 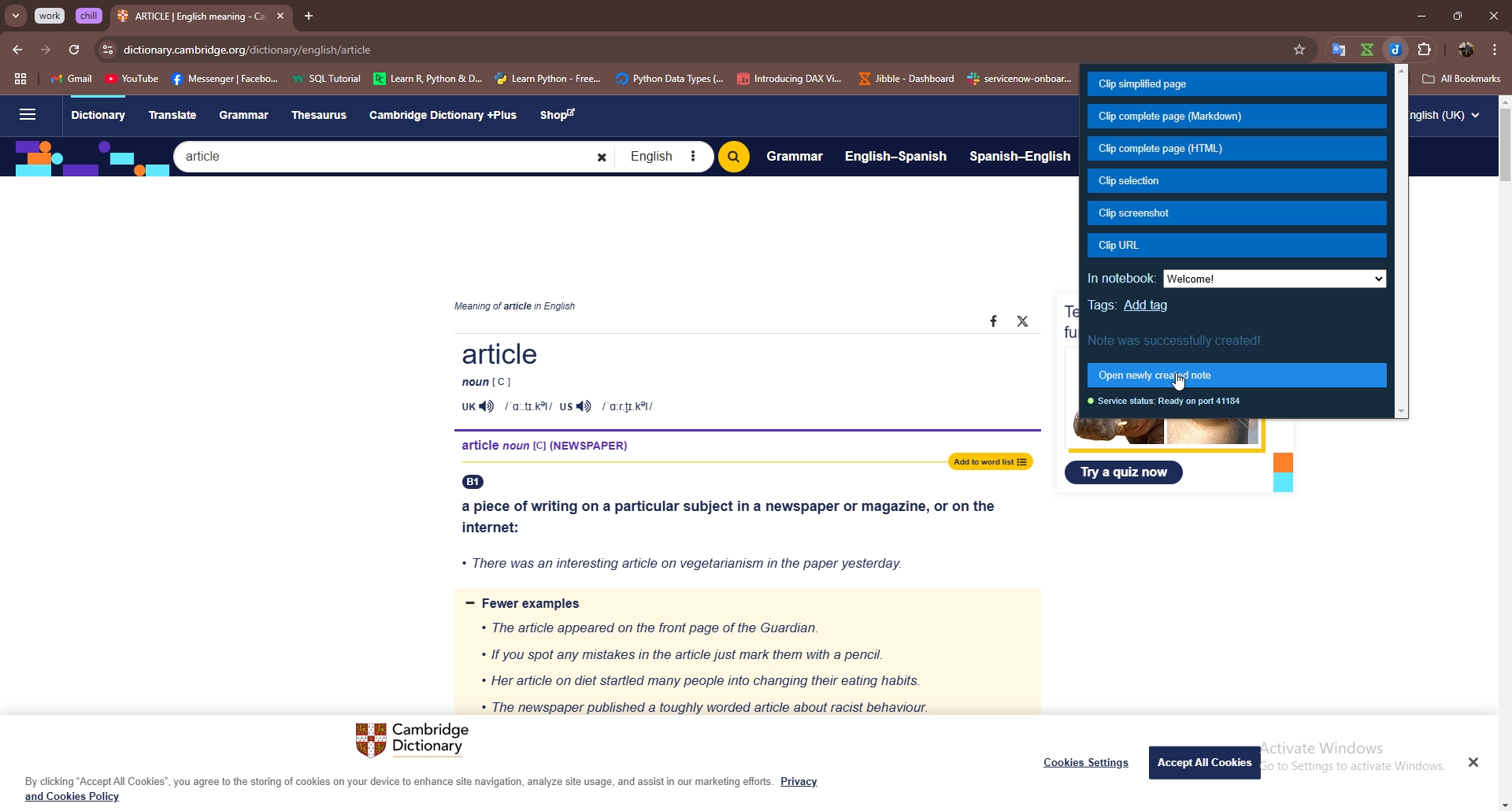 I want to click on clip selection, so click(x=1237, y=181).